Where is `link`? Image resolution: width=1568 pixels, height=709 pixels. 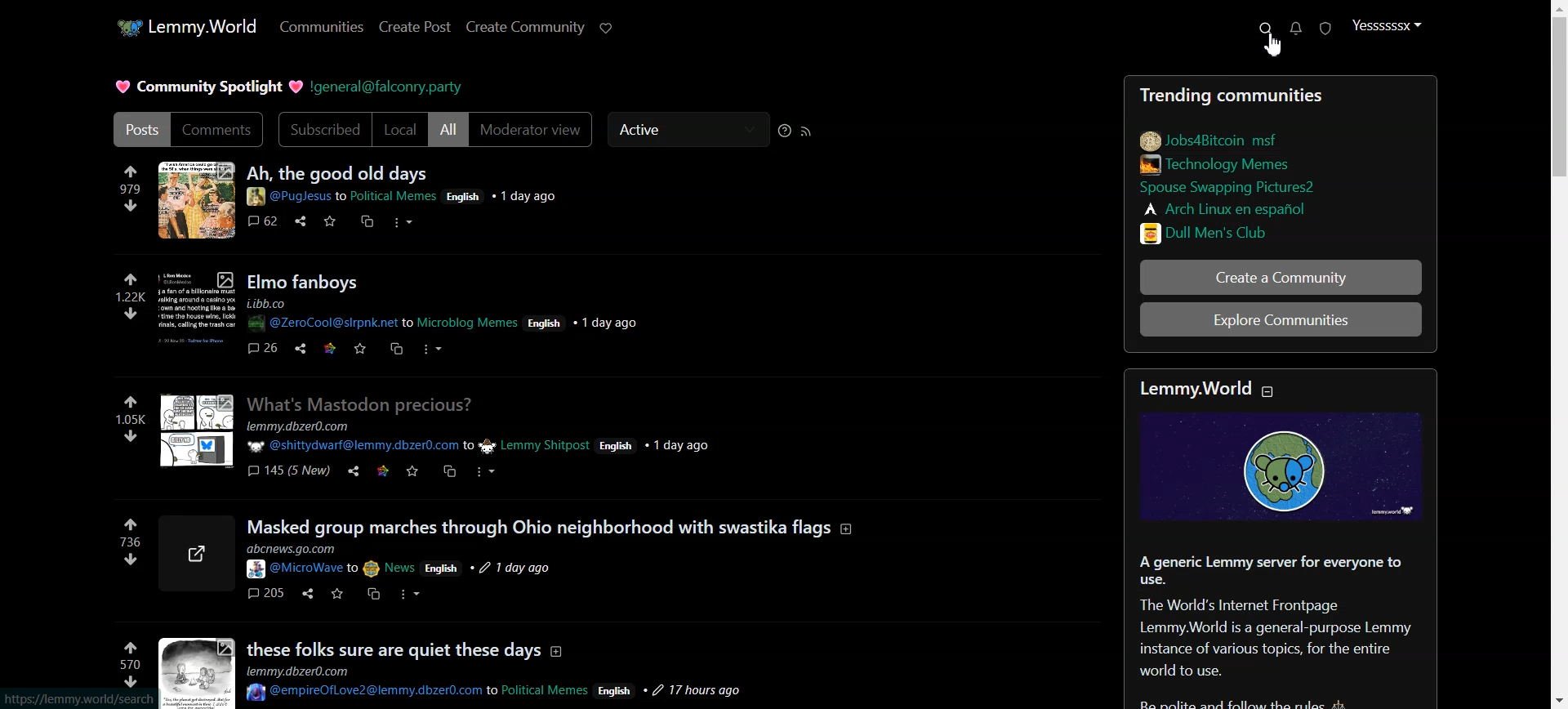
link is located at coordinates (1240, 190).